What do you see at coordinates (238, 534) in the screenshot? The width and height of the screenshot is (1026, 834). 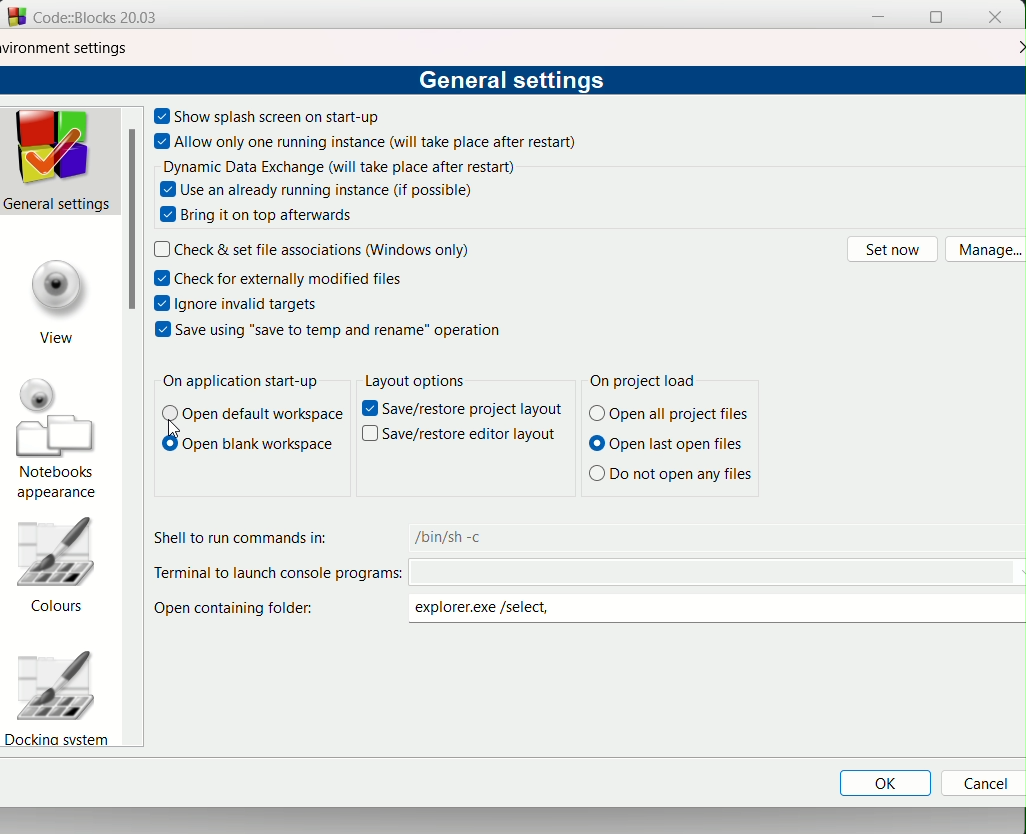 I see `text` at bounding box center [238, 534].